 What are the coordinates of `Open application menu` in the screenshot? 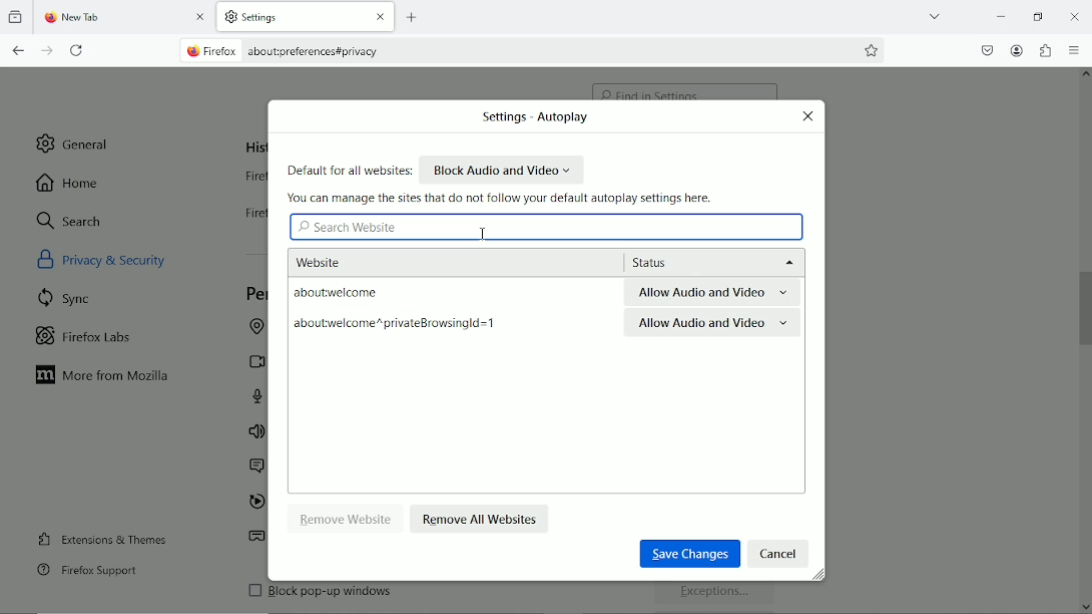 It's located at (1075, 51).